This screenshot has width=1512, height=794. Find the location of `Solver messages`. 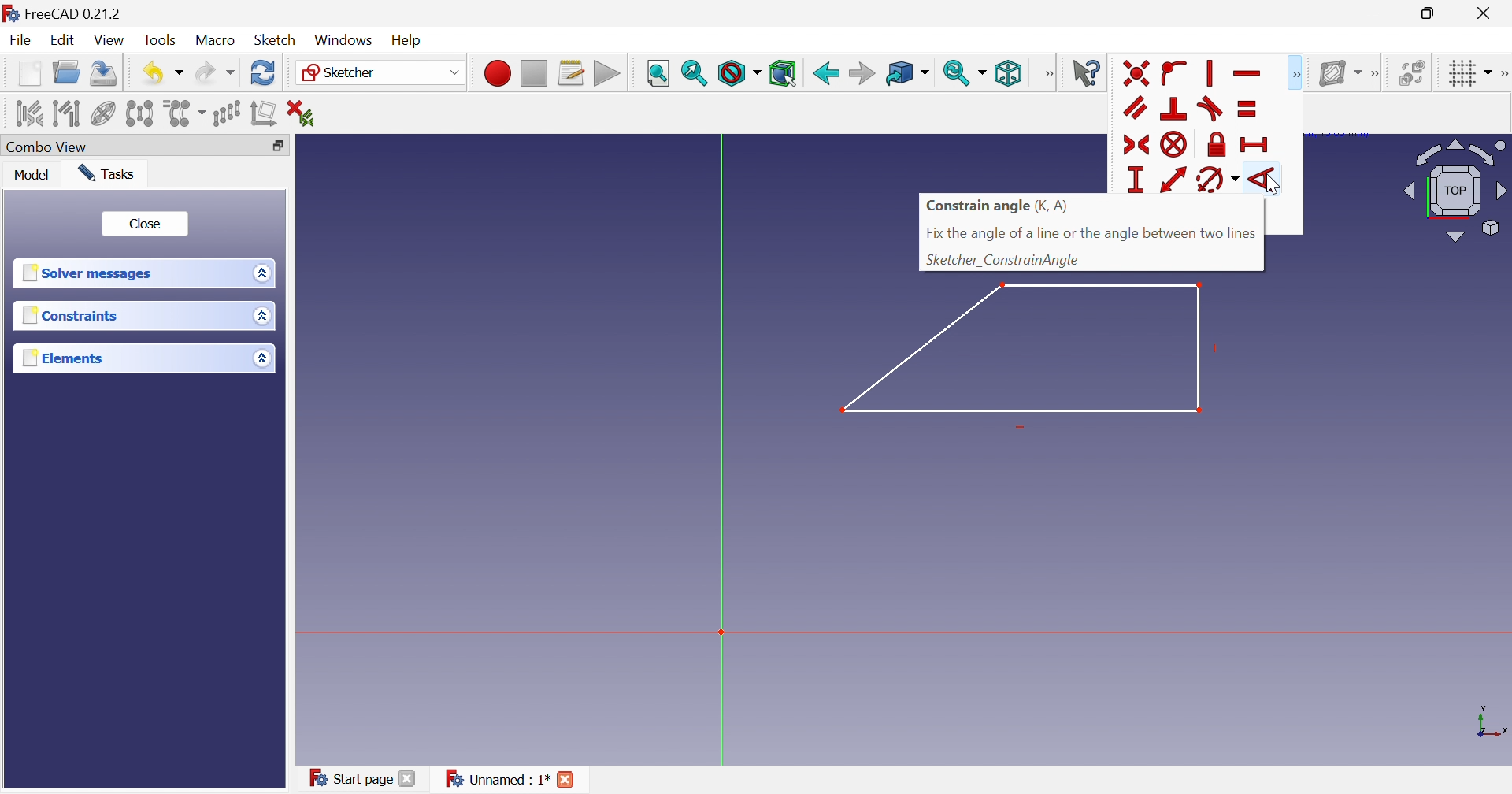

Solver messages is located at coordinates (91, 274).